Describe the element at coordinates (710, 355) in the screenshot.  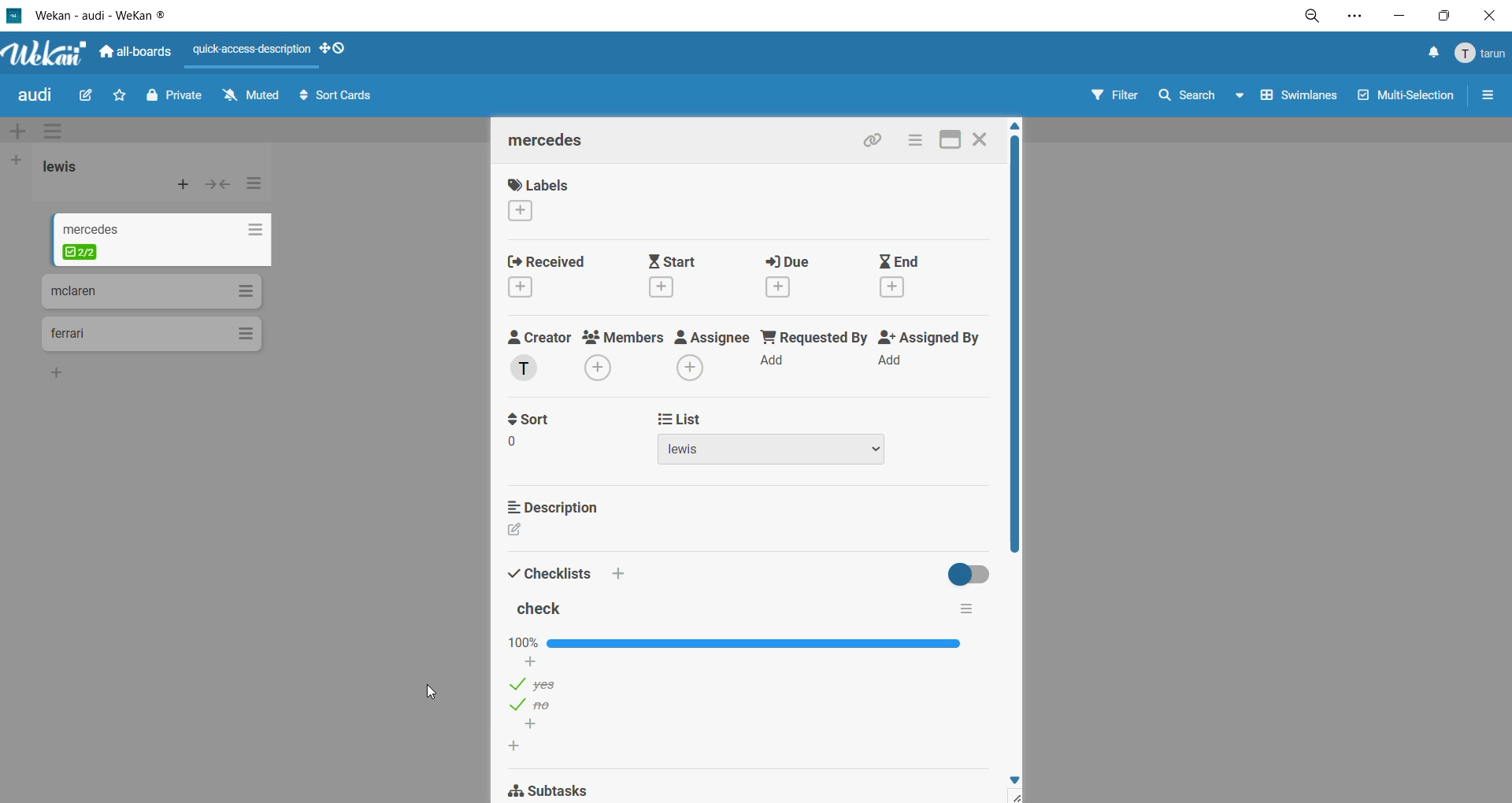
I see `assignee` at that location.